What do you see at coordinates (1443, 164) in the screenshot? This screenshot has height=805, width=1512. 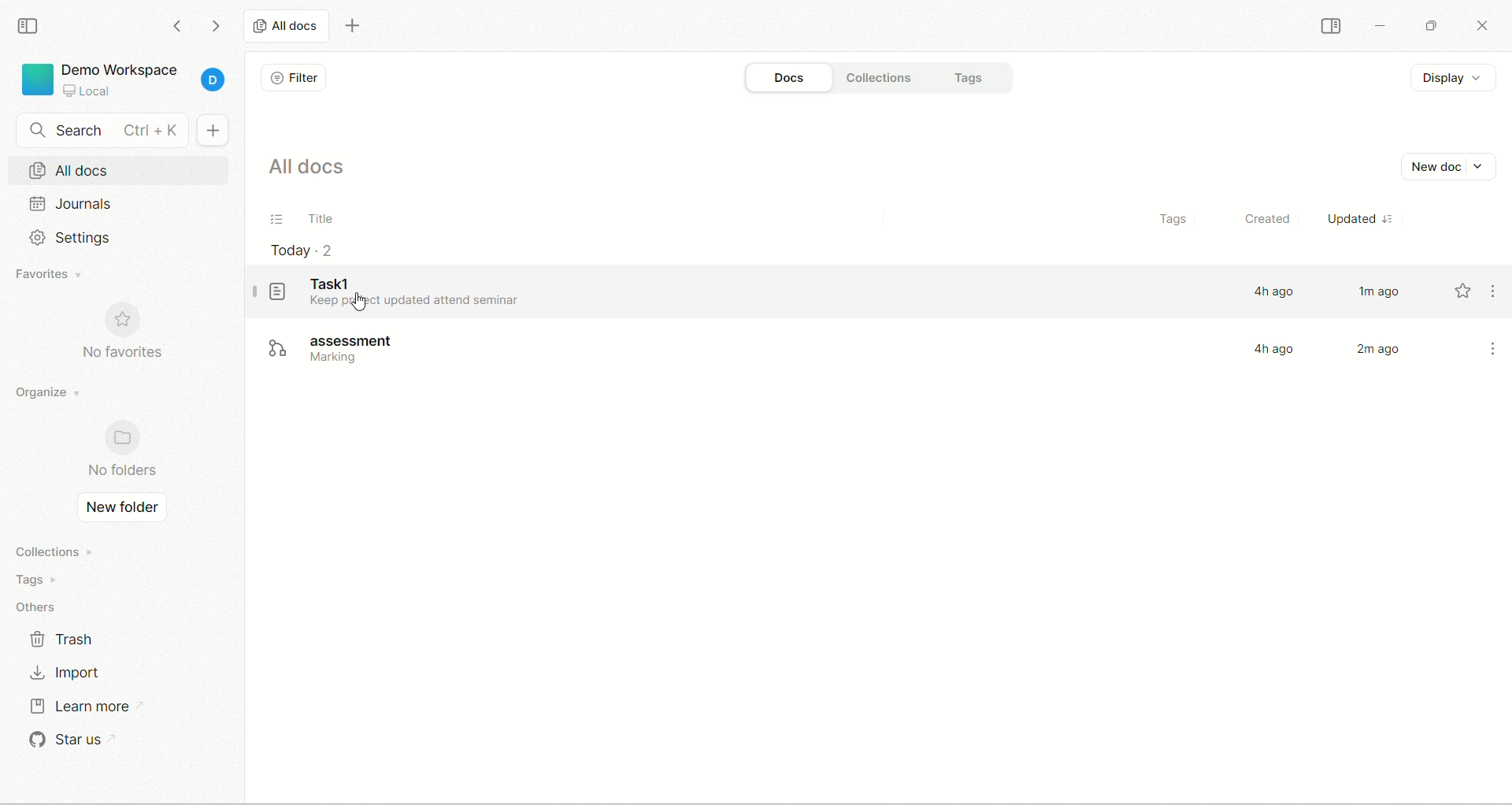 I see `new docs` at bounding box center [1443, 164].